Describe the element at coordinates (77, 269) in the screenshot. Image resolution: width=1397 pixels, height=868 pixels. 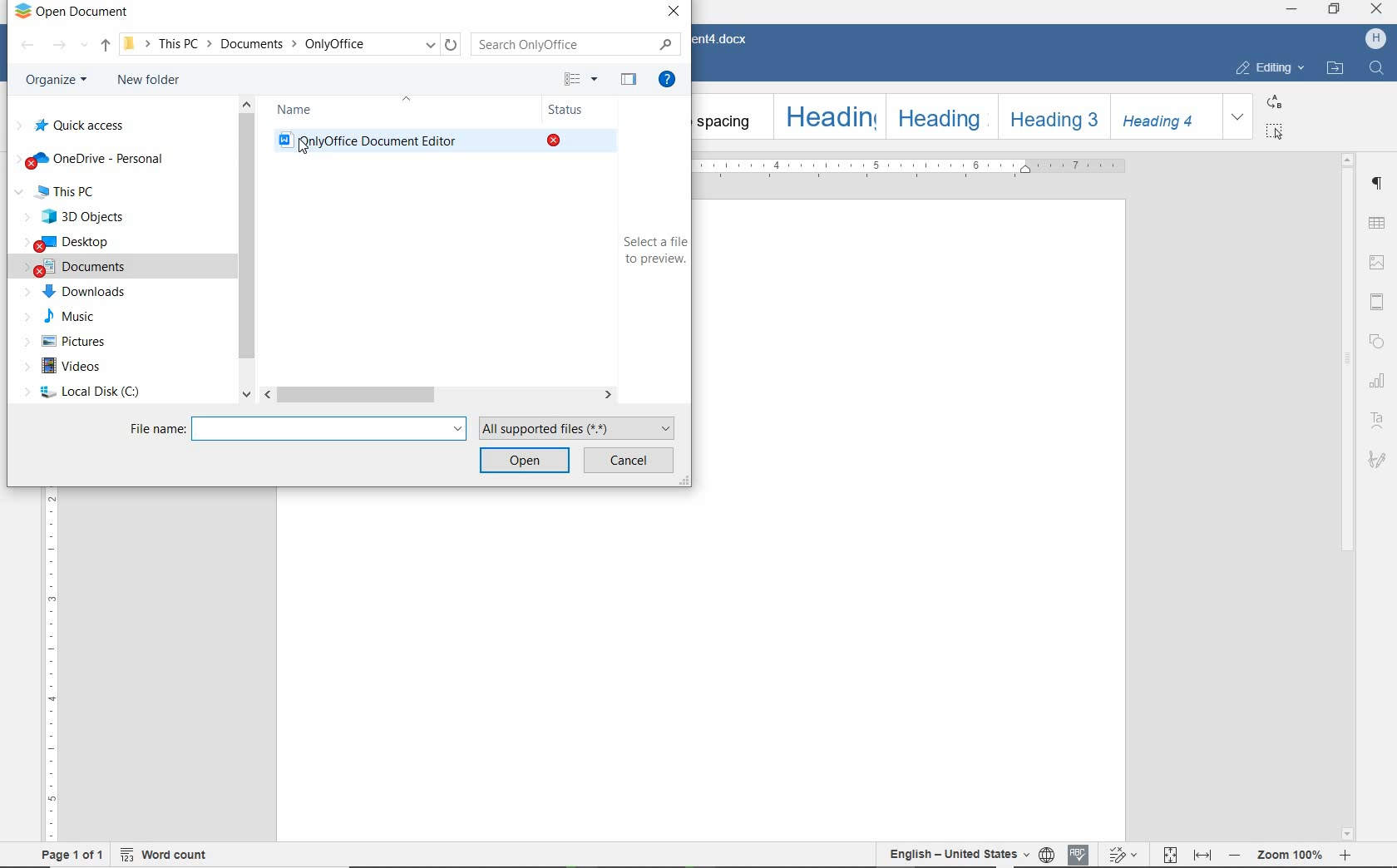
I see `documents` at that location.